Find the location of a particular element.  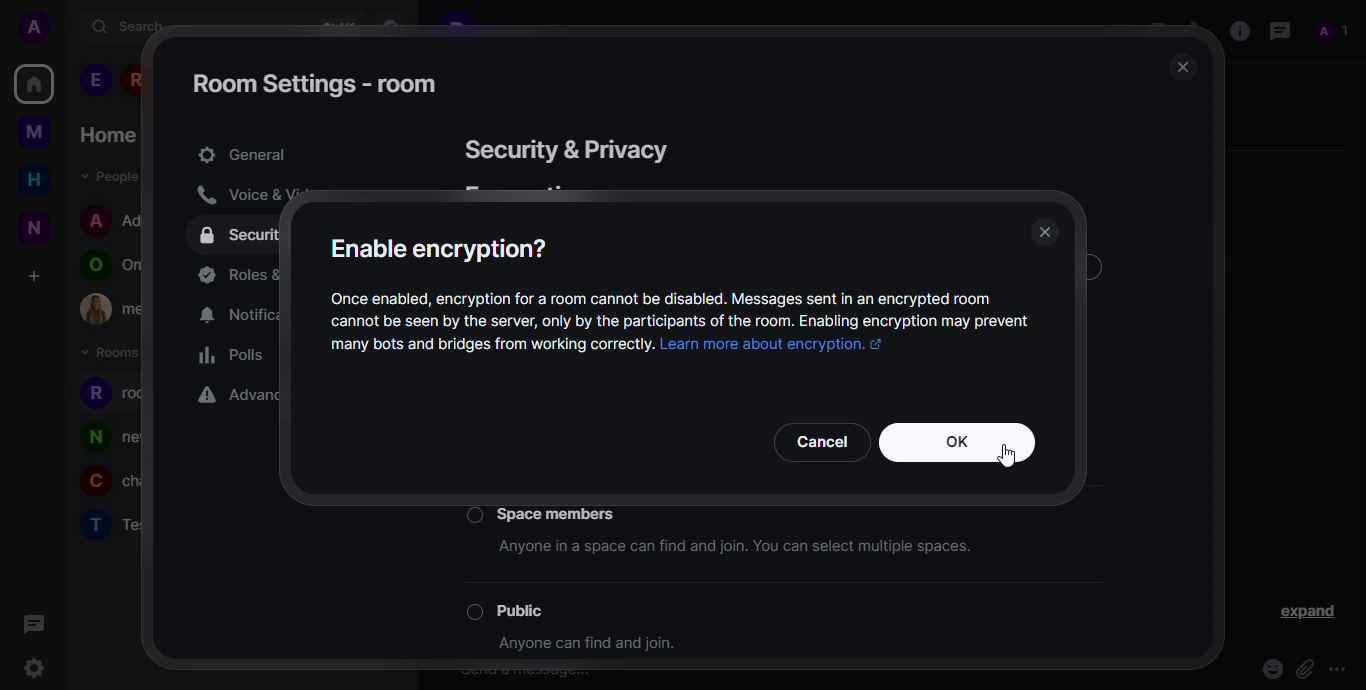

close is located at coordinates (1179, 69).